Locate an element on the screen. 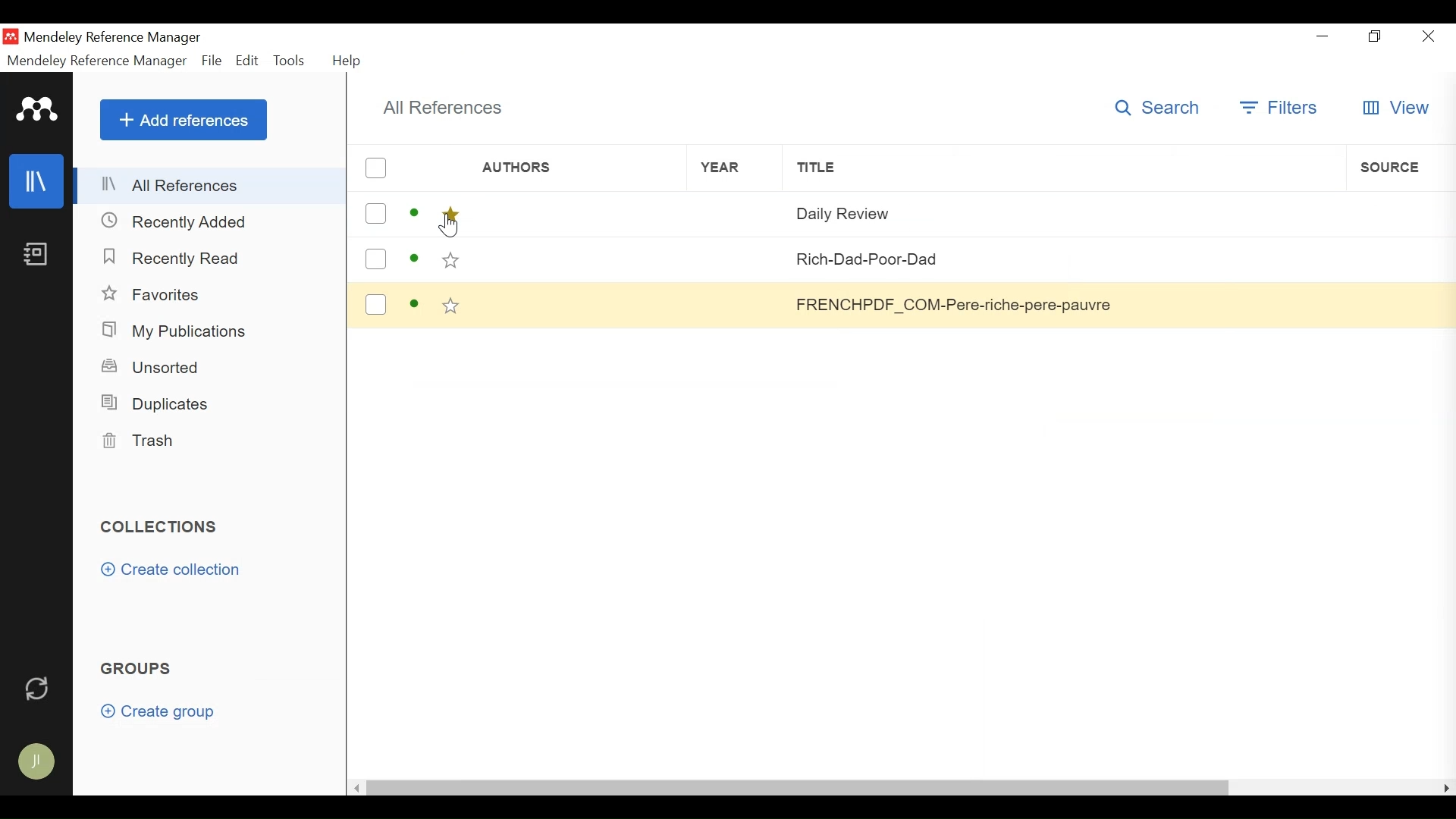 The image size is (1456, 819). Edit is located at coordinates (247, 60).